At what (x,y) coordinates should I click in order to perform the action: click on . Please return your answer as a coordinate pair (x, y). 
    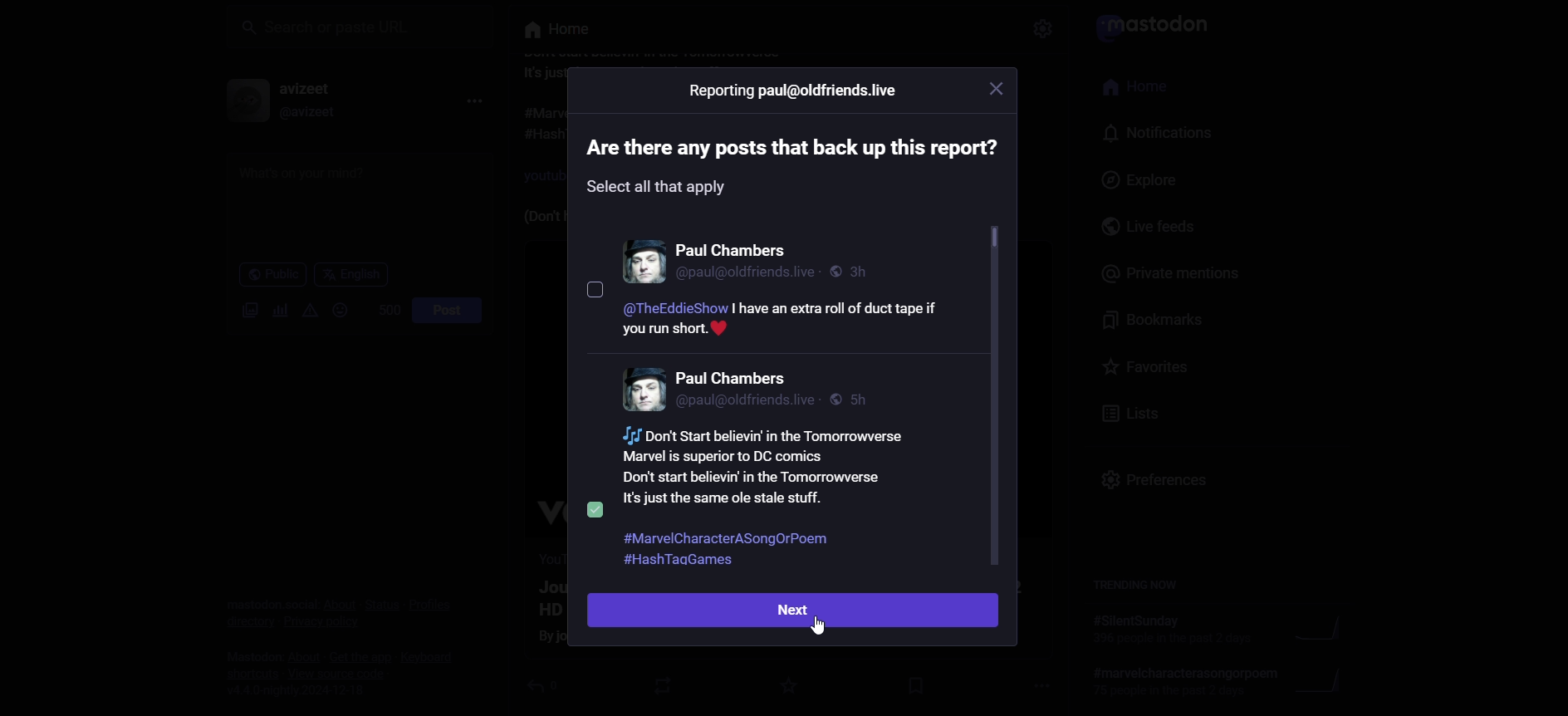
    Looking at the image, I should click on (735, 378).